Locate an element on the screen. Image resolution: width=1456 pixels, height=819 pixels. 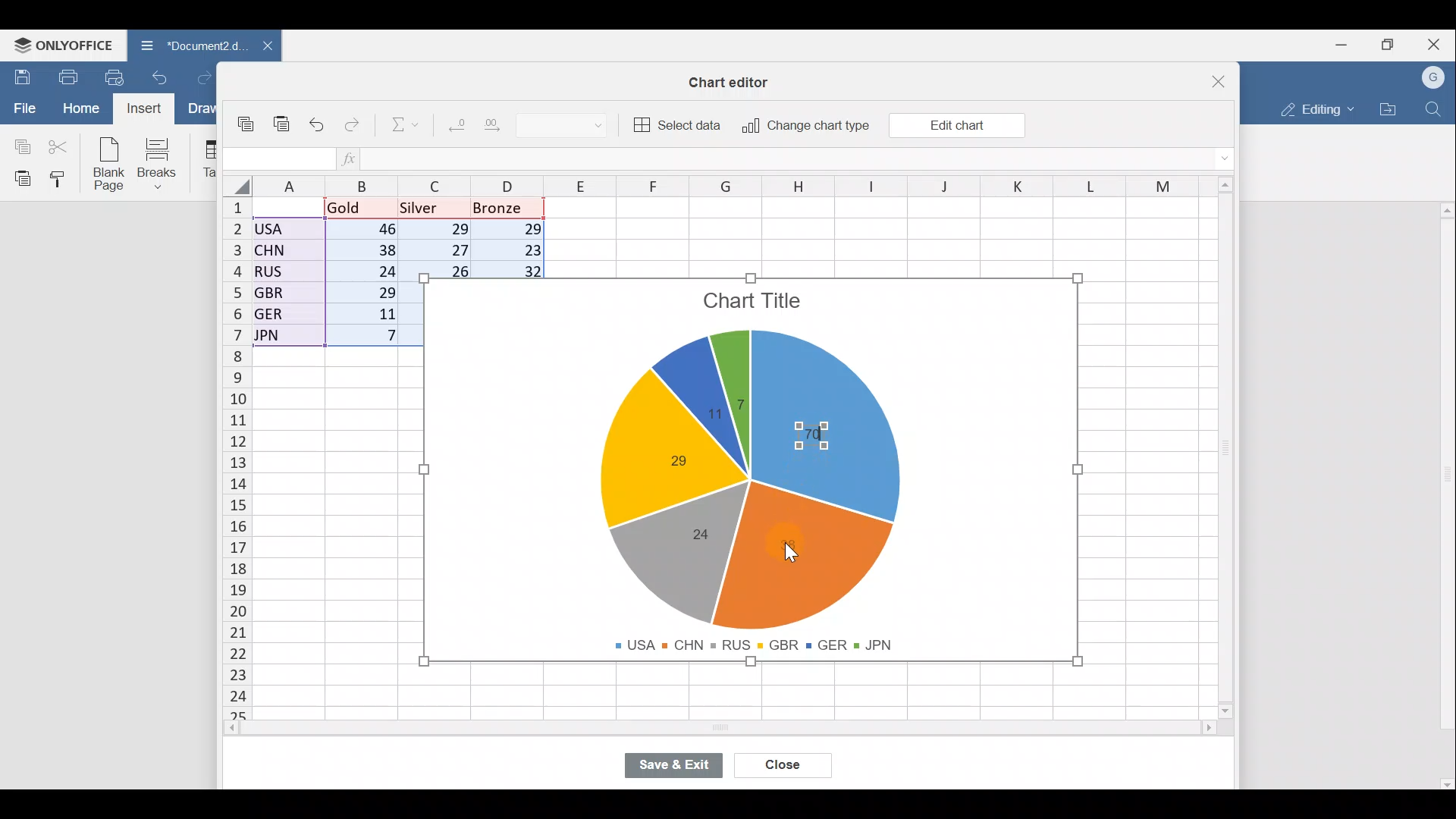
Change chart type is located at coordinates (801, 127).